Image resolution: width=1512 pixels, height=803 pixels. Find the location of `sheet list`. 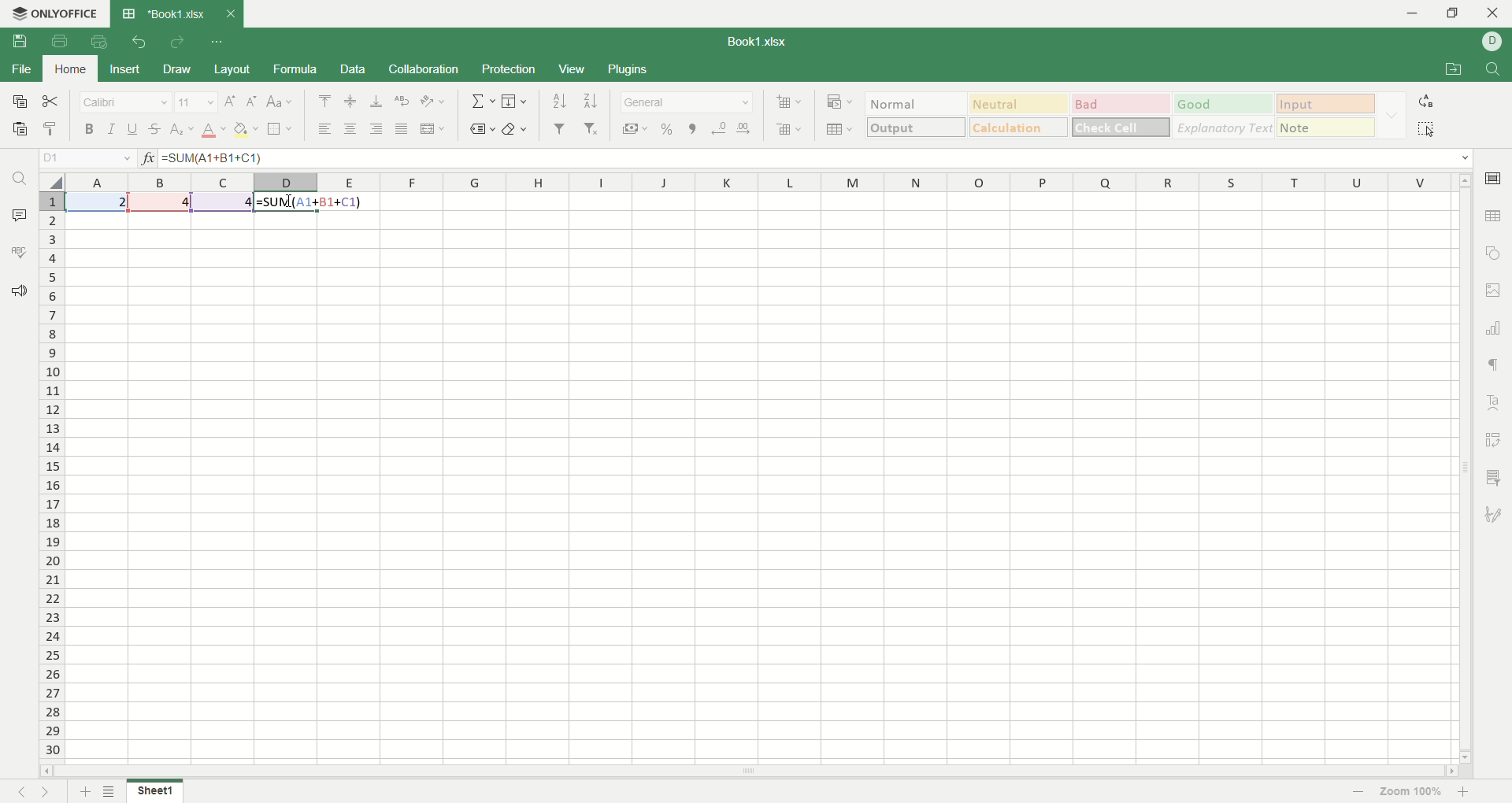

sheet list is located at coordinates (111, 791).